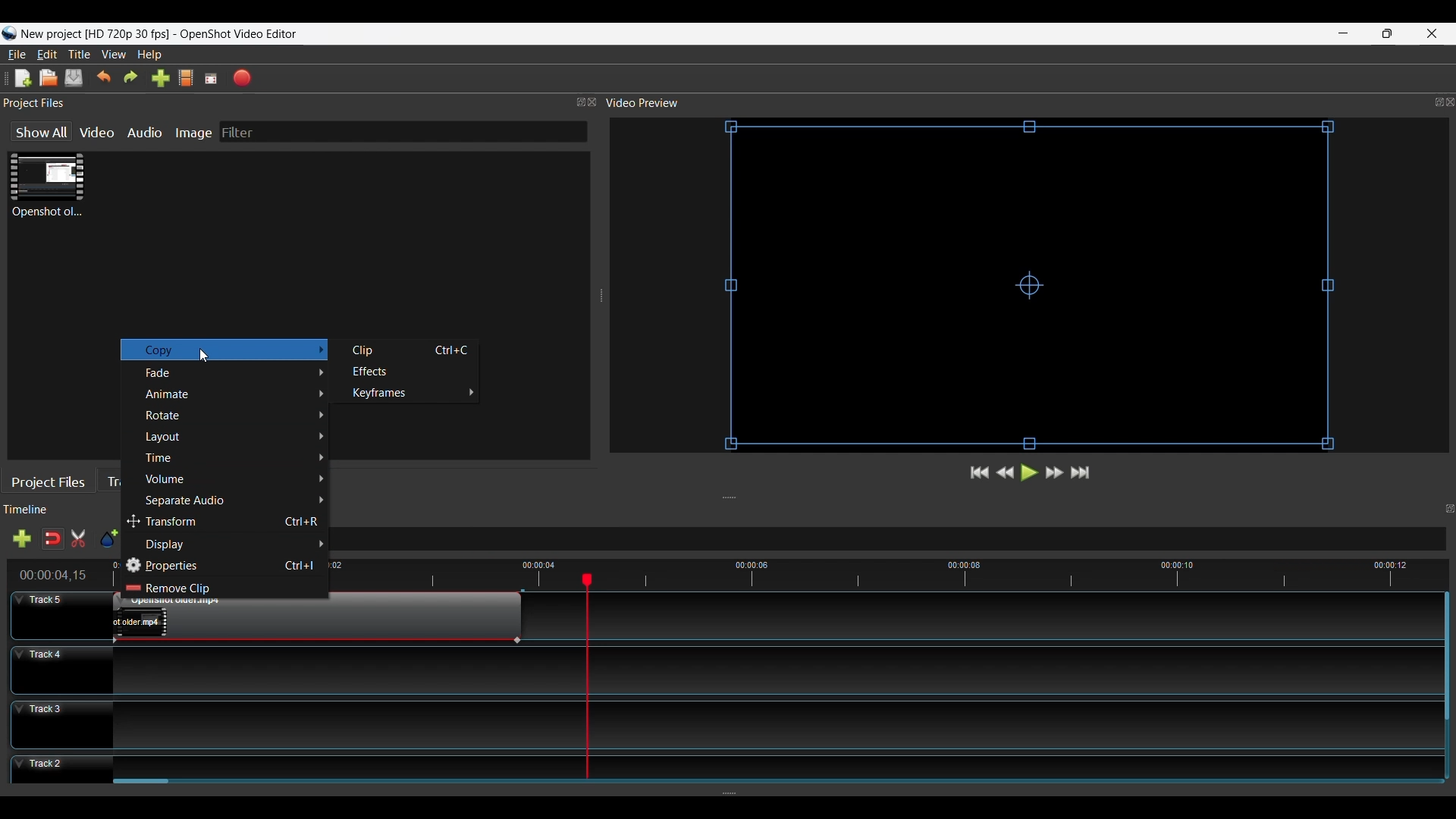 The height and width of the screenshot is (819, 1456). Describe the element at coordinates (403, 132) in the screenshot. I see `Filter` at that location.